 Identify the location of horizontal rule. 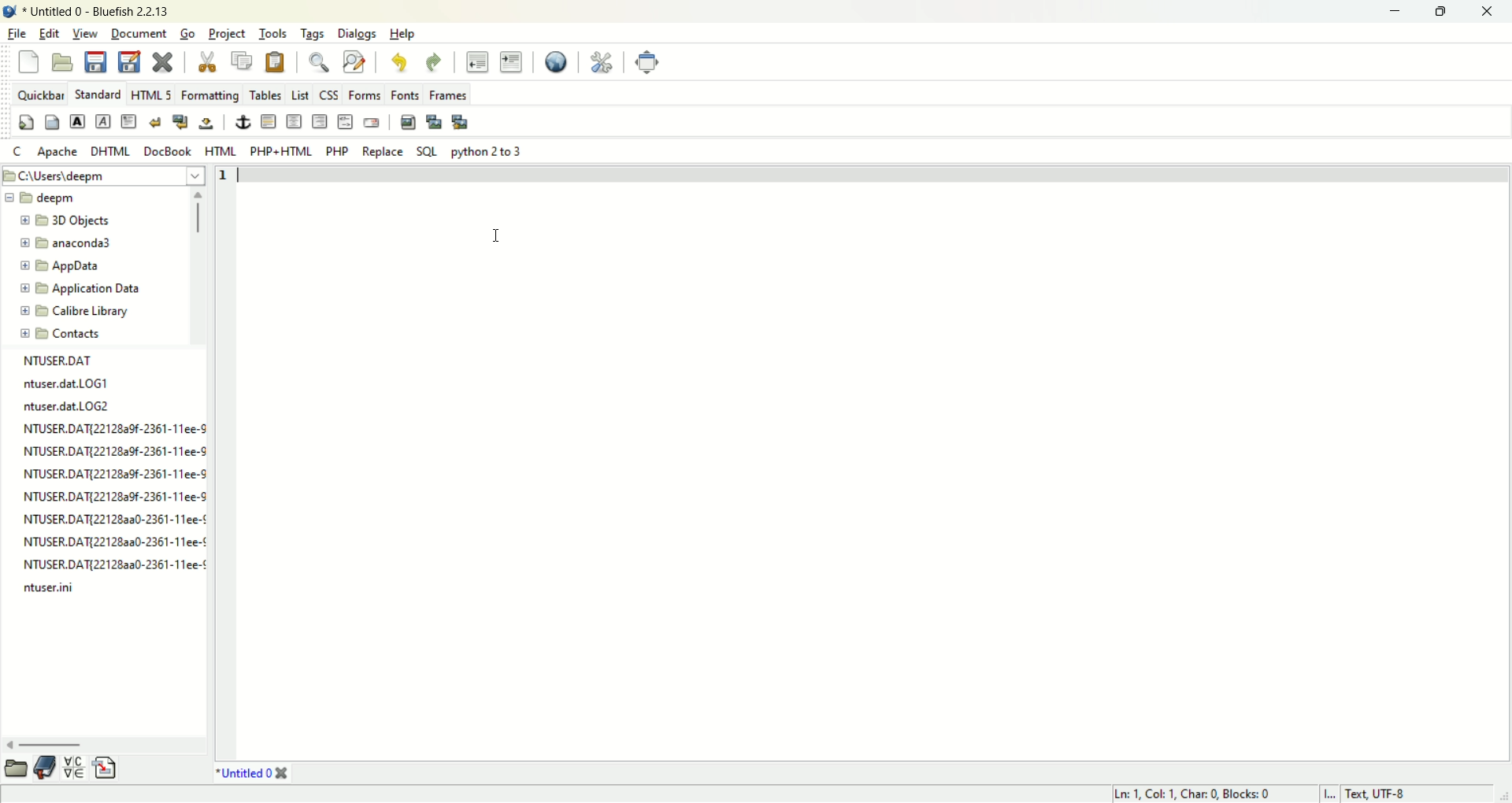
(268, 121).